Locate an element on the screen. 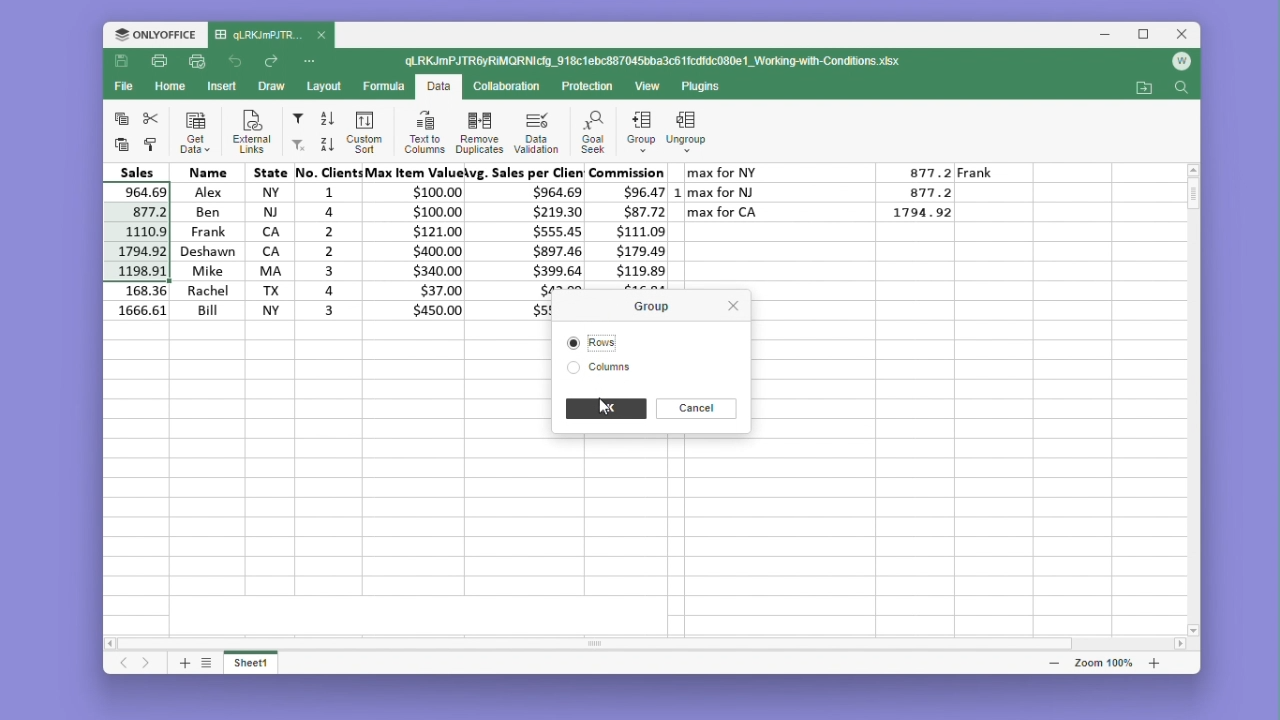 The image size is (1280, 720). More options is located at coordinates (312, 60).